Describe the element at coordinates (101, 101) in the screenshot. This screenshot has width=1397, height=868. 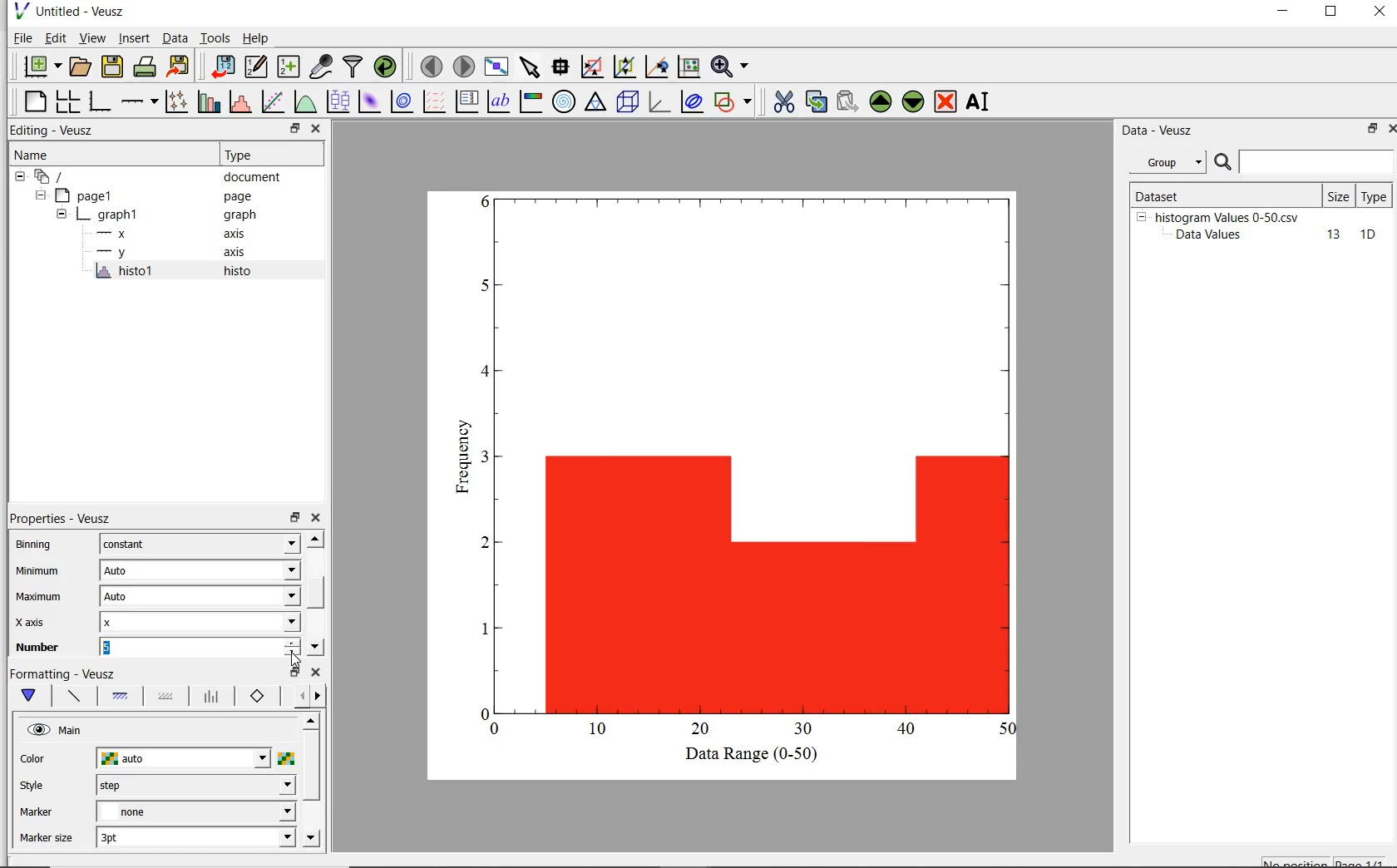
I see `base graph` at that location.